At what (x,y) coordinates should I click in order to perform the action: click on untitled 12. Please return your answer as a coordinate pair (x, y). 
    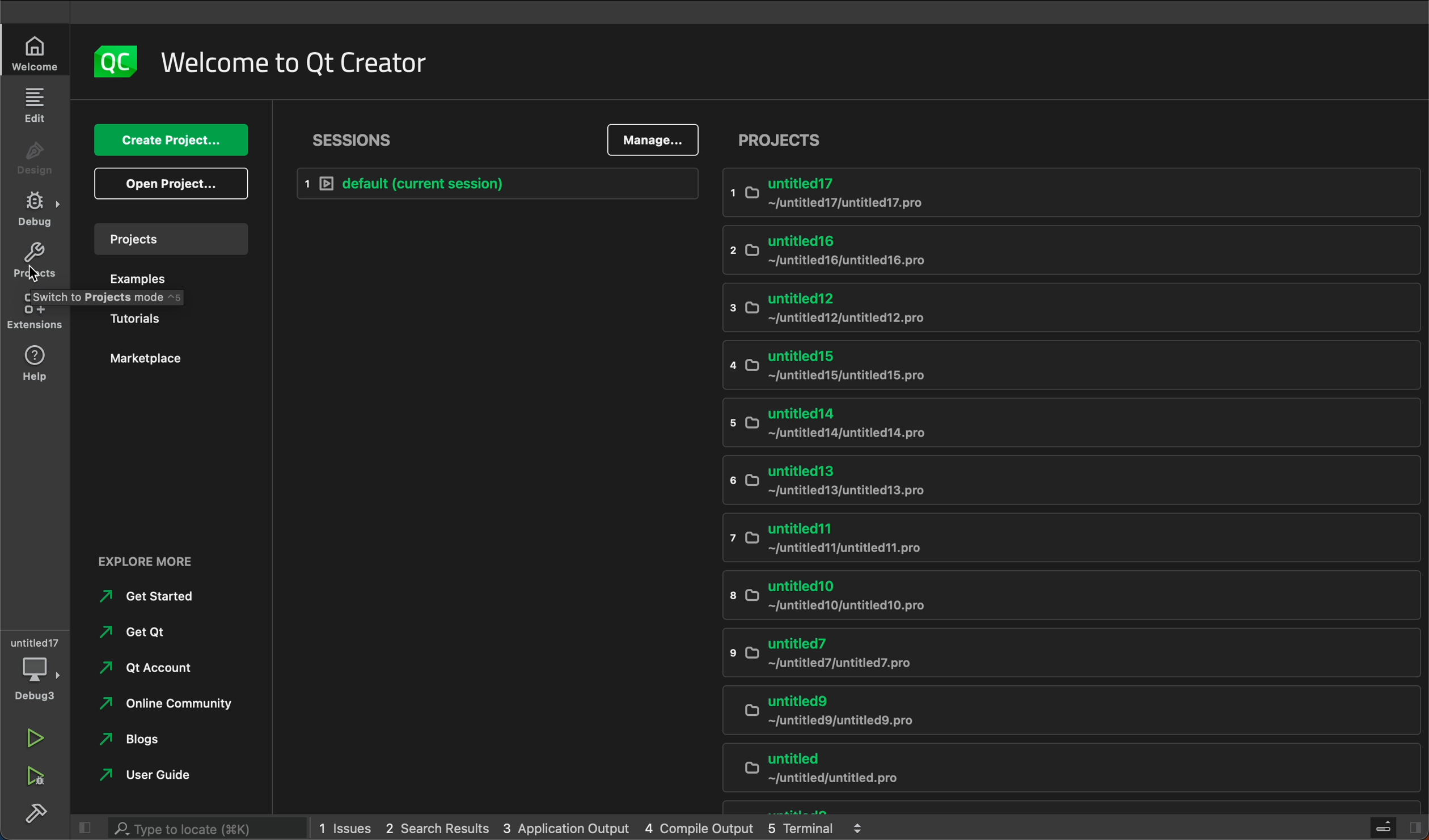
    Looking at the image, I should click on (1067, 307).